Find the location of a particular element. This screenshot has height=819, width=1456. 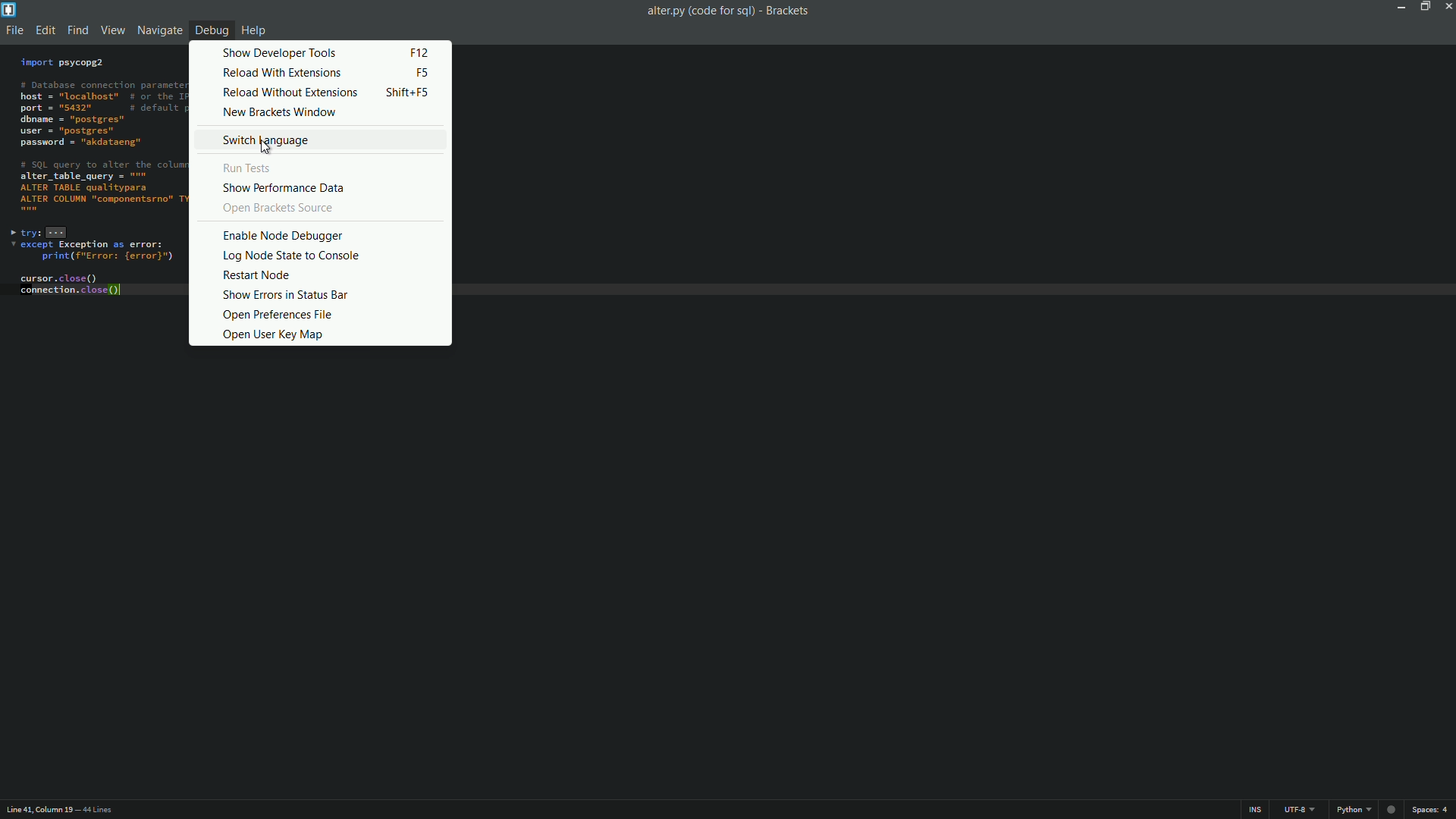

switch language is located at coordinates (265, 142).